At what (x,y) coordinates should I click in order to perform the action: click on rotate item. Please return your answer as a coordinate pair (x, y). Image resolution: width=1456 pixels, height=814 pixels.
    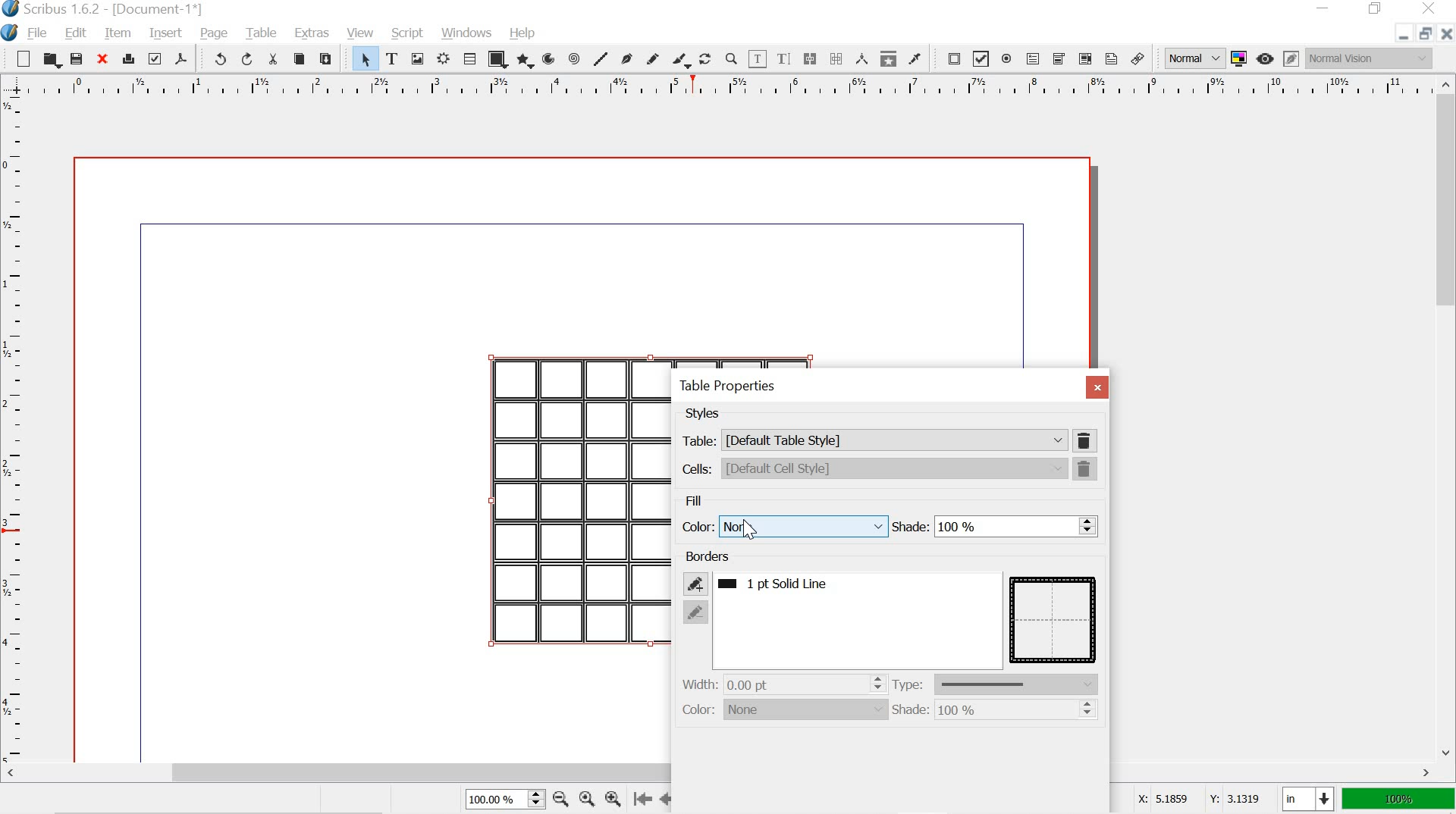
    Looking at the image, I should click on (704, 59).